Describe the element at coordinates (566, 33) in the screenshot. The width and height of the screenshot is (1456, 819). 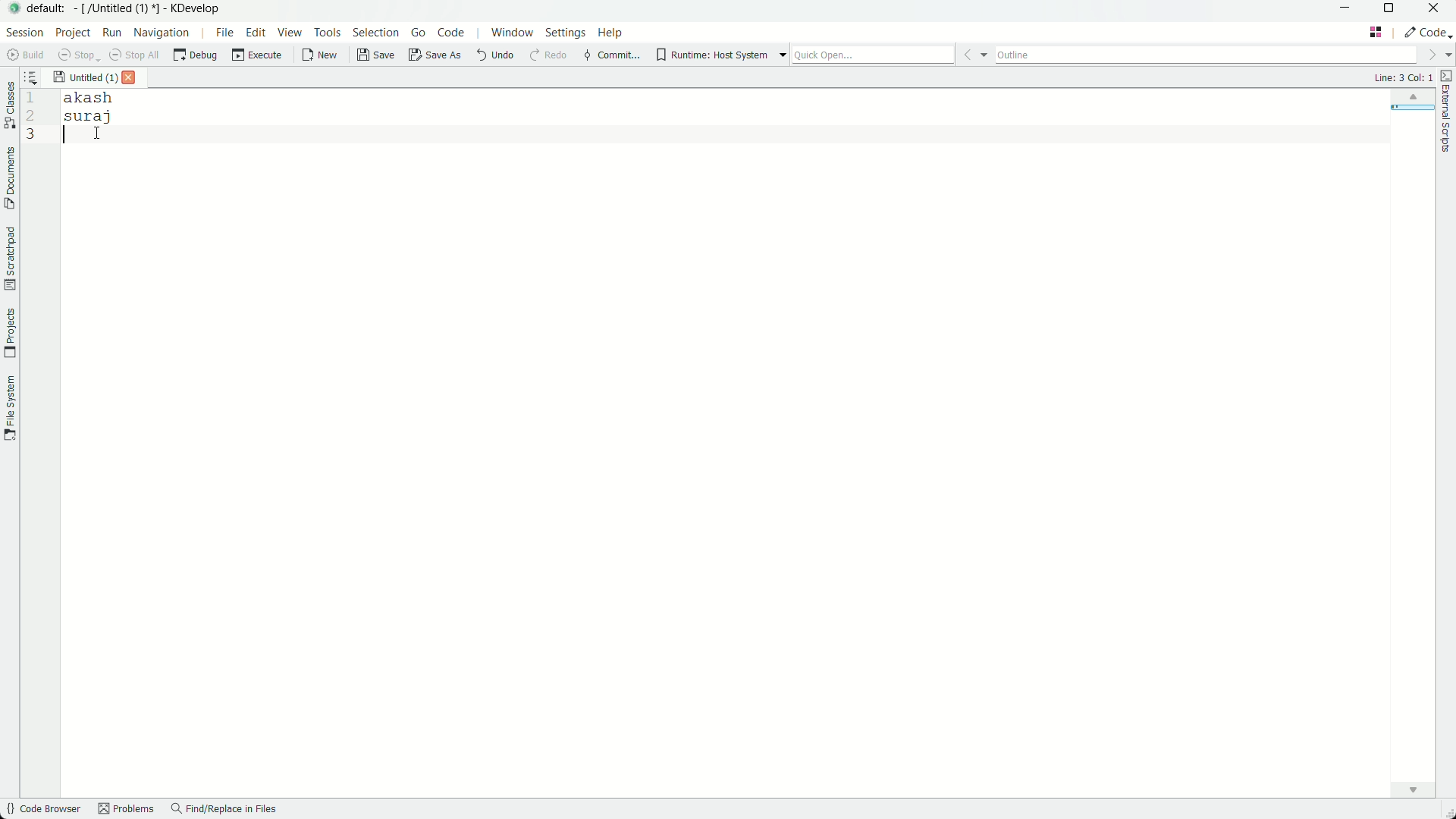
I see `settings menu` at that location.